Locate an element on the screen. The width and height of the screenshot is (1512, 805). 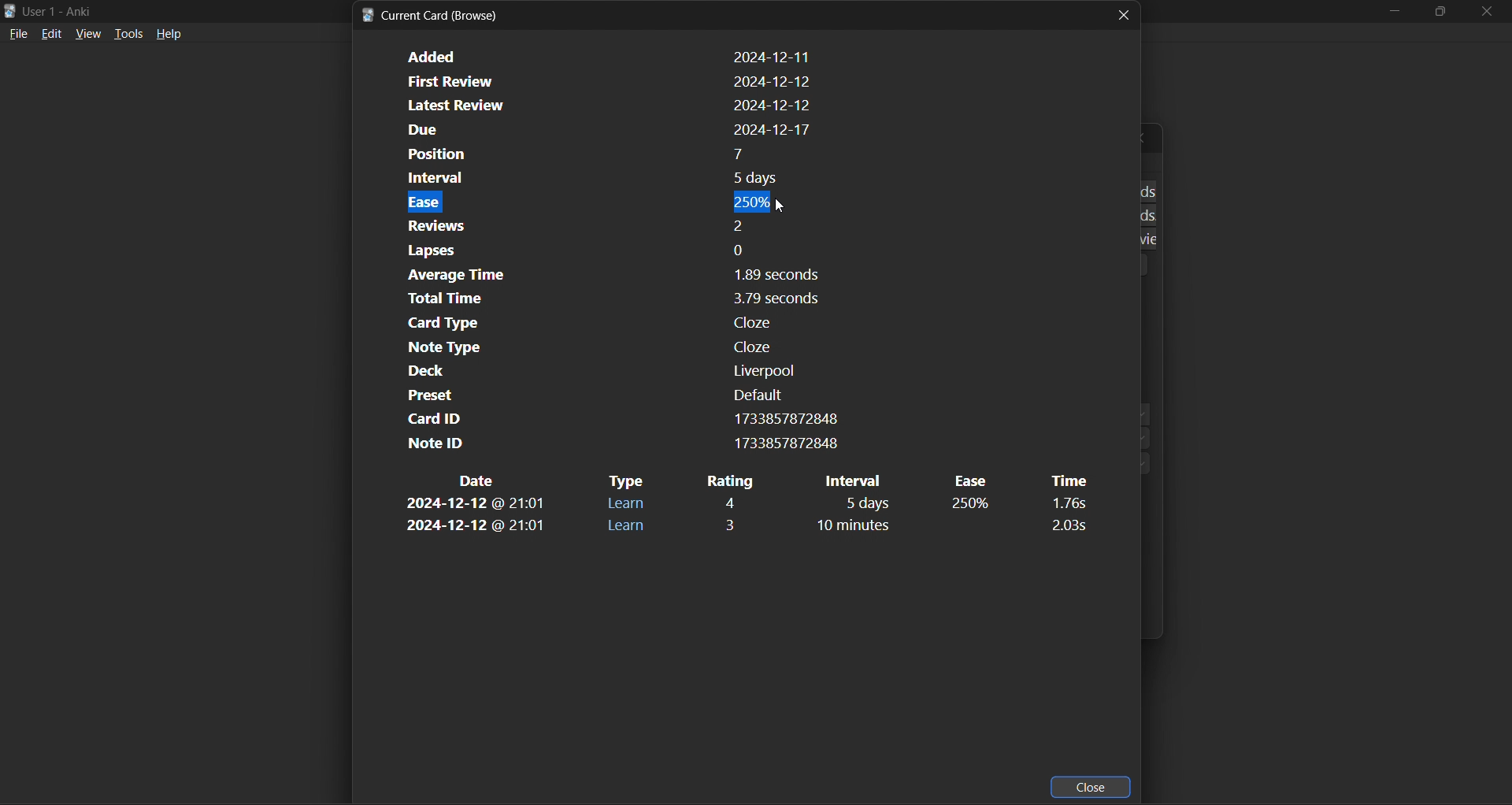
interval is located at coordinates (866, 503).